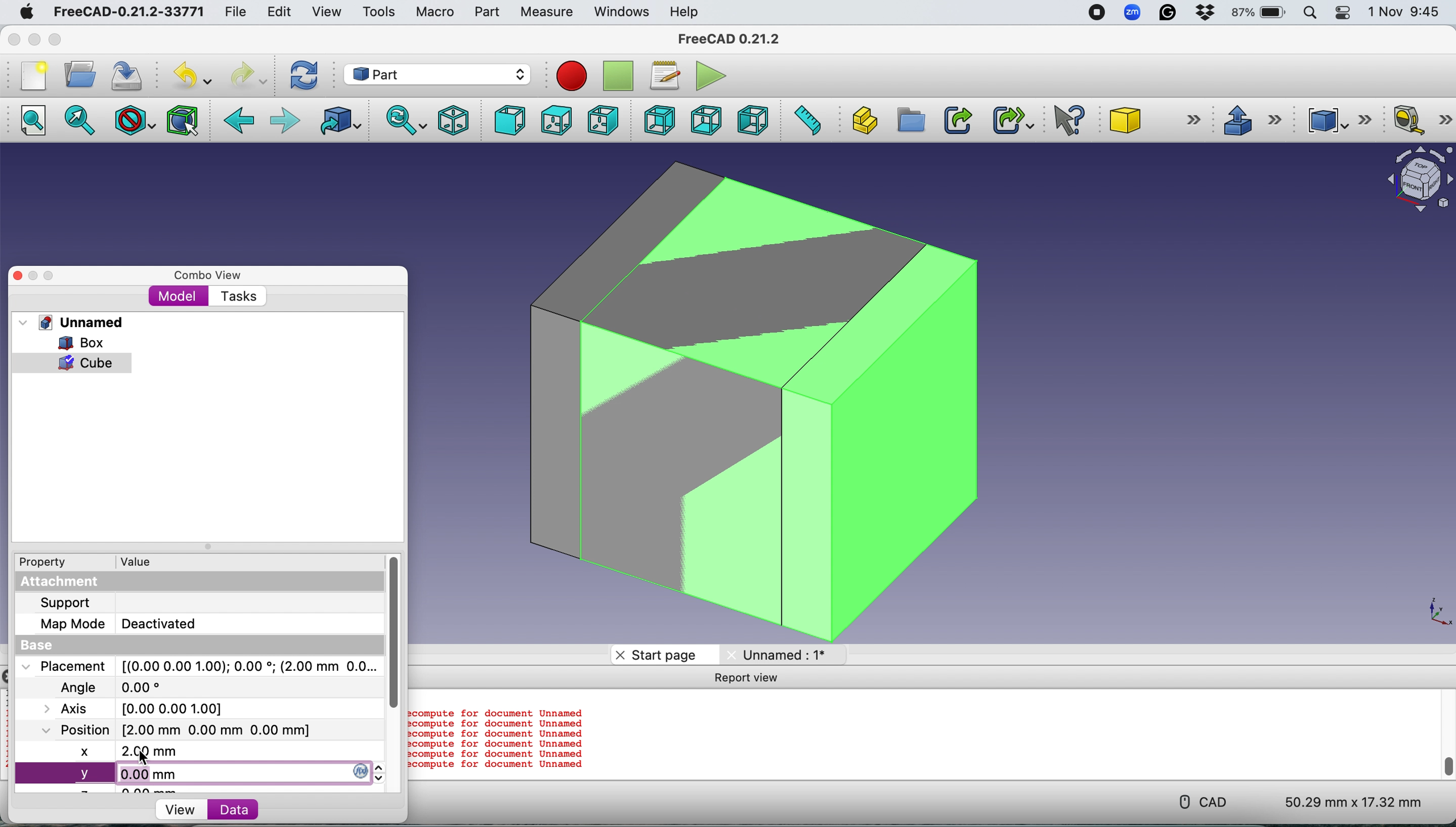  What do you see at coordinates (378, 11) in the screenshot?
I see `Tools` at bounding box center [378, 11].